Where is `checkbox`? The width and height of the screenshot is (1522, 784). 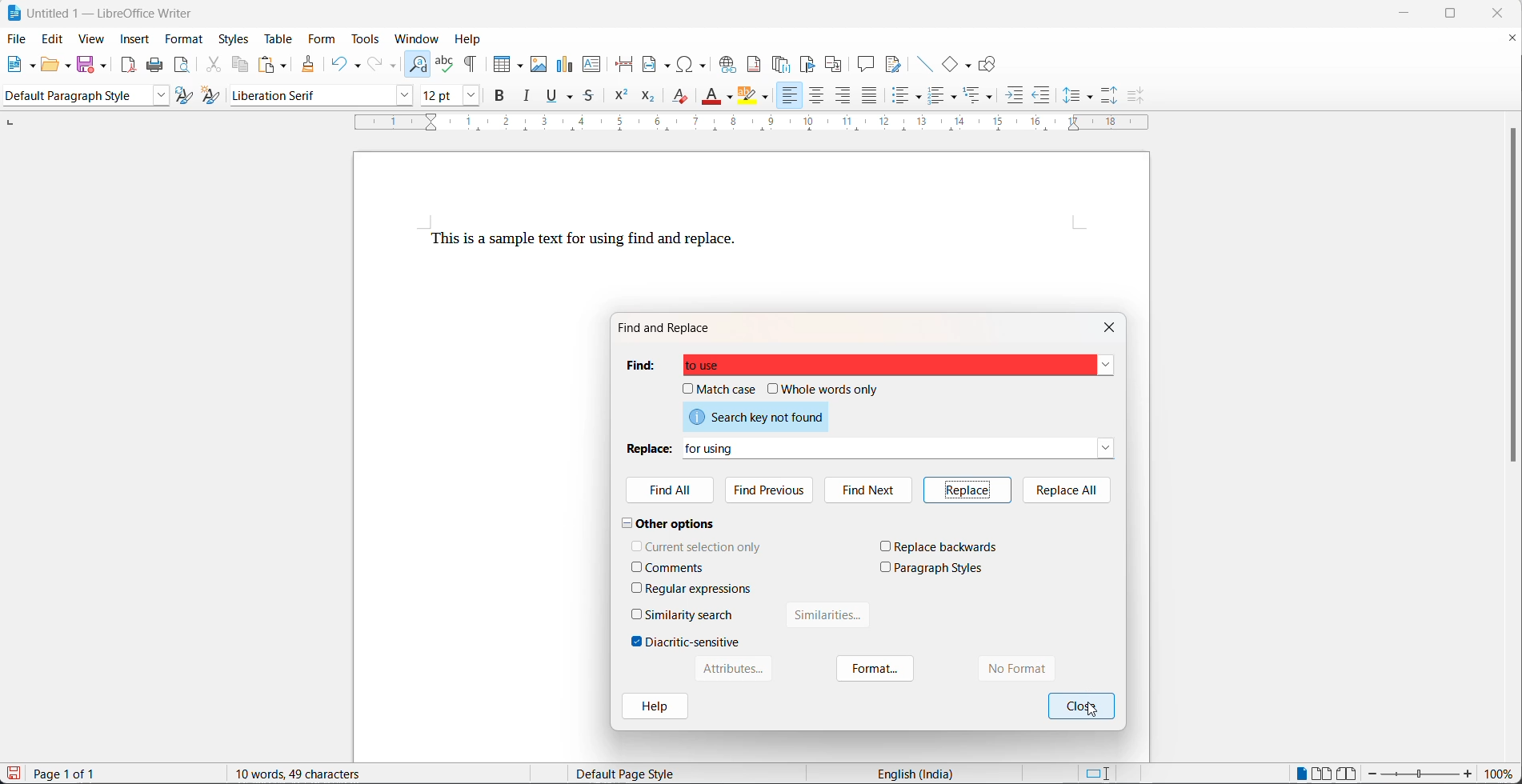
checkbox is located at coordinates (774, 389).